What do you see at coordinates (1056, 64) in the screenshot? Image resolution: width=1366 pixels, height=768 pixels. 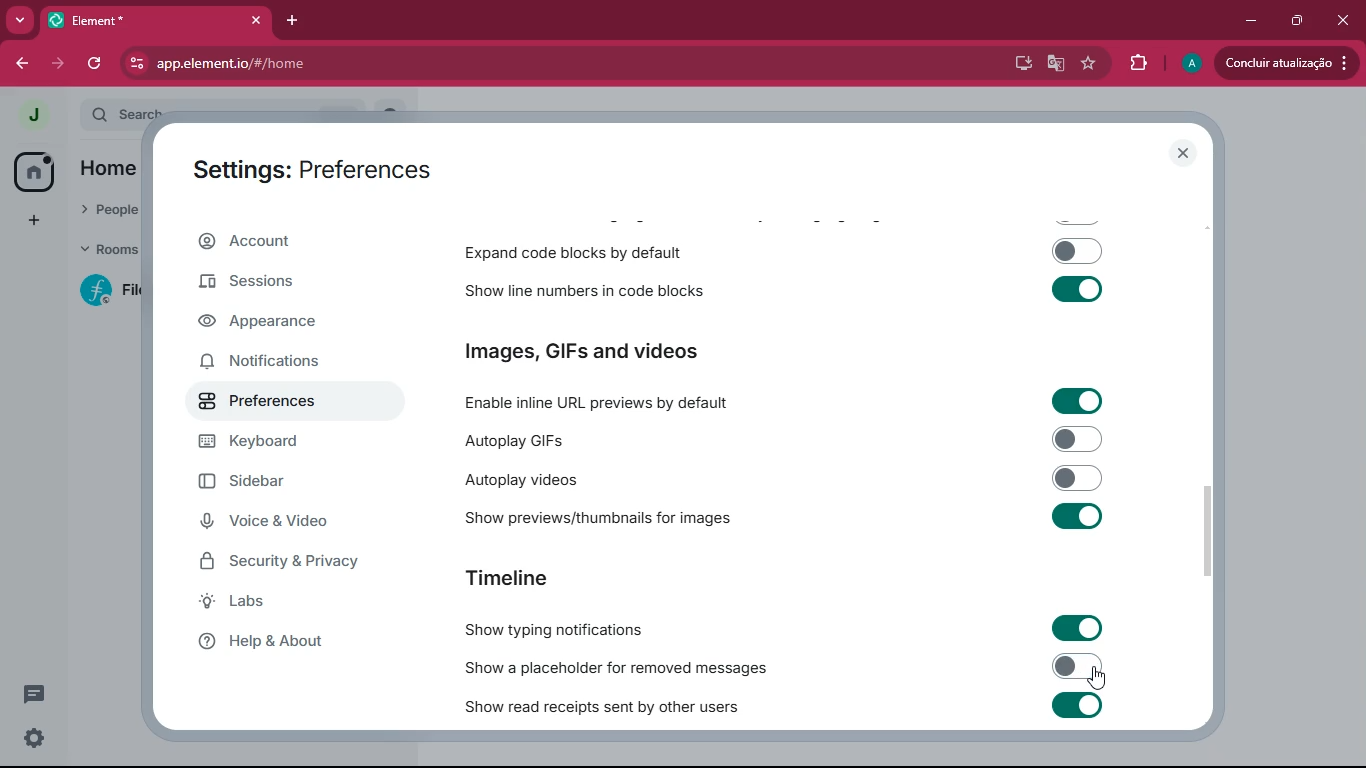 I see `google translate` at bounding box center [1056, 64].